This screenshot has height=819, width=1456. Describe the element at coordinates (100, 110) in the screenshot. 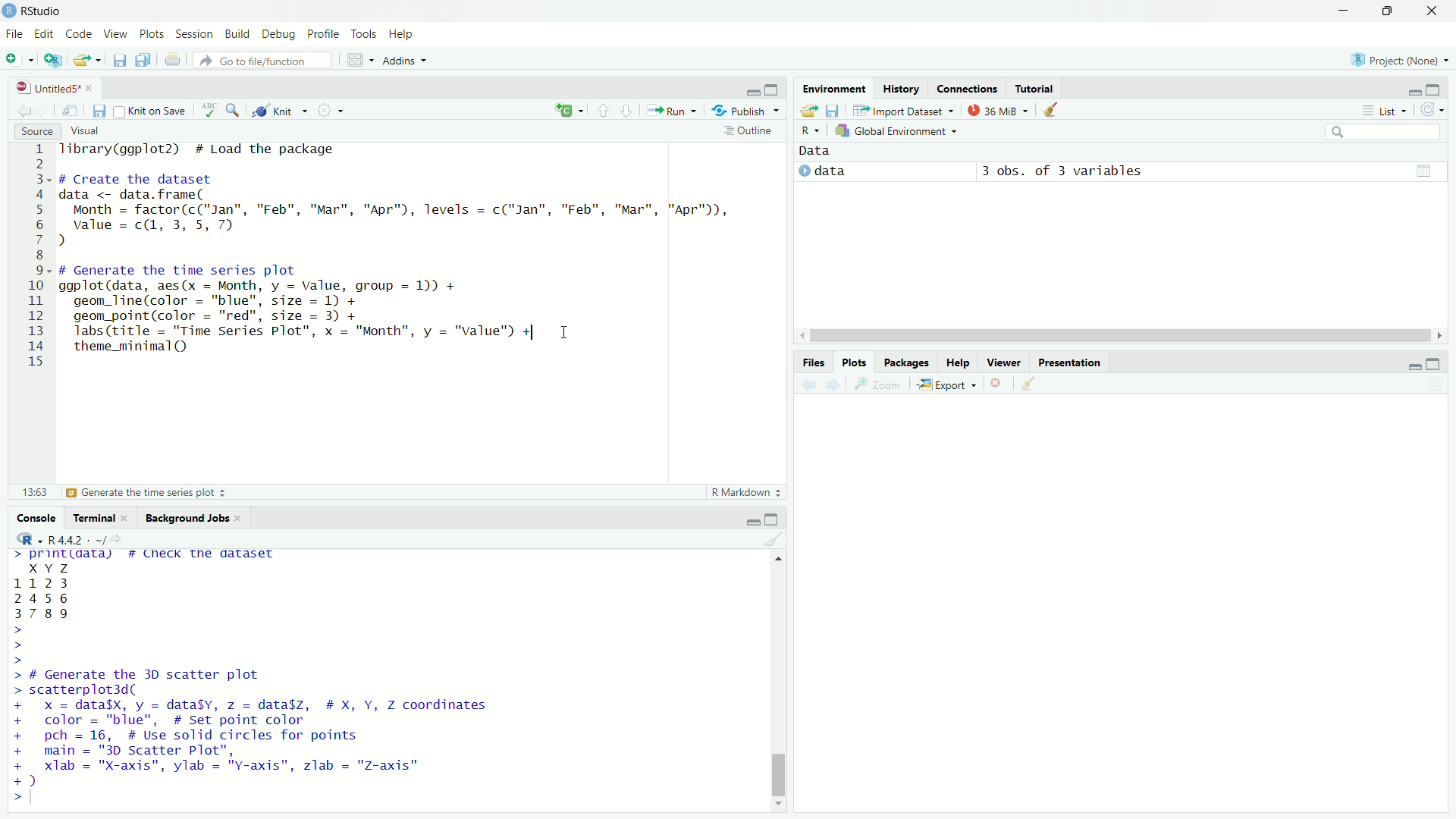

I see `save current document` at that location.